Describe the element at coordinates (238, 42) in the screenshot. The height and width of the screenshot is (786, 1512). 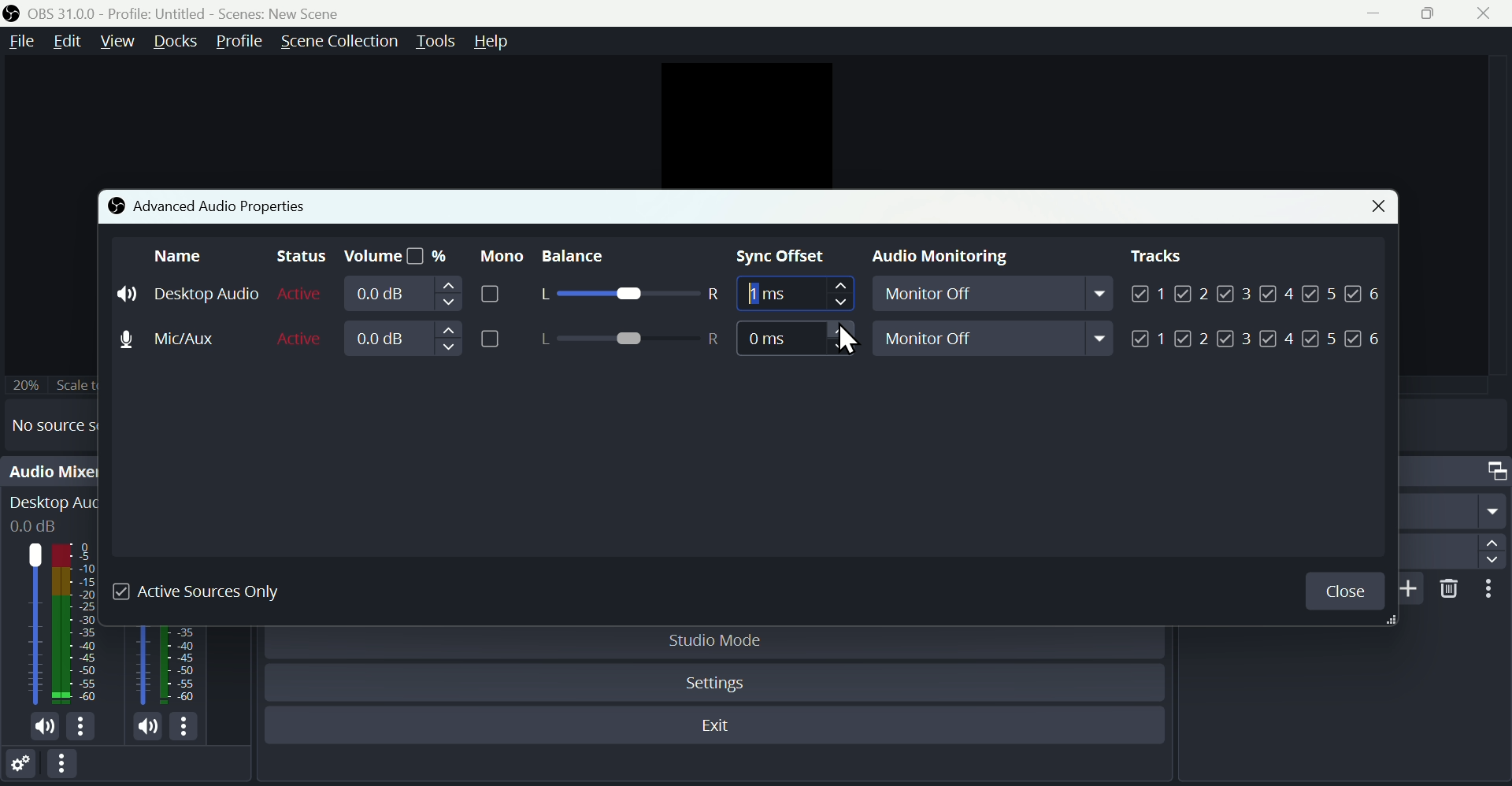
I see `Profile` at that location.